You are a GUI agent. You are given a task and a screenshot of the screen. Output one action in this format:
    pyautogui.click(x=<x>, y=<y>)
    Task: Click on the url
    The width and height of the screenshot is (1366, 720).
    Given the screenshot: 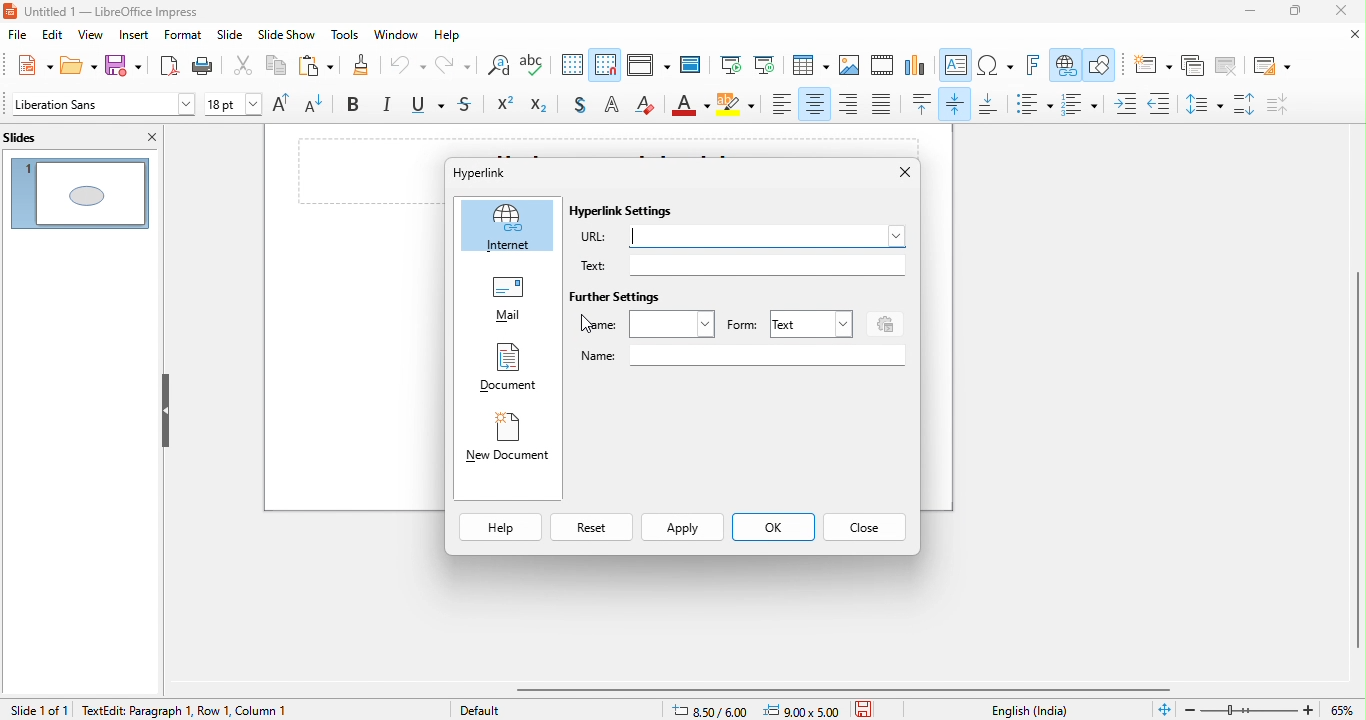 What is the action you would take?
    pyautogui.click(x=744, y=238)
    